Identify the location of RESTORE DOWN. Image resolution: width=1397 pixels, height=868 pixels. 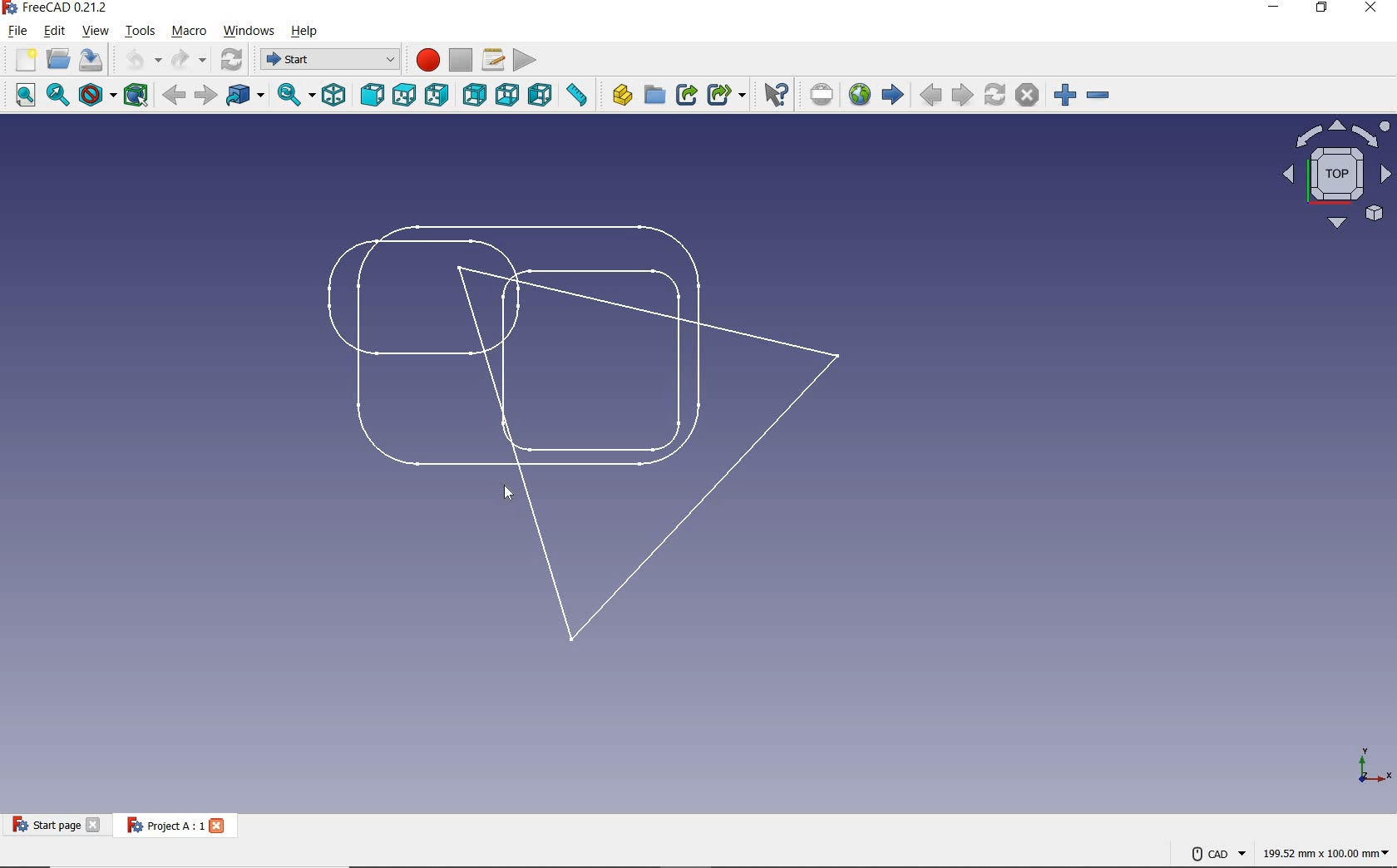
(1323, 9).